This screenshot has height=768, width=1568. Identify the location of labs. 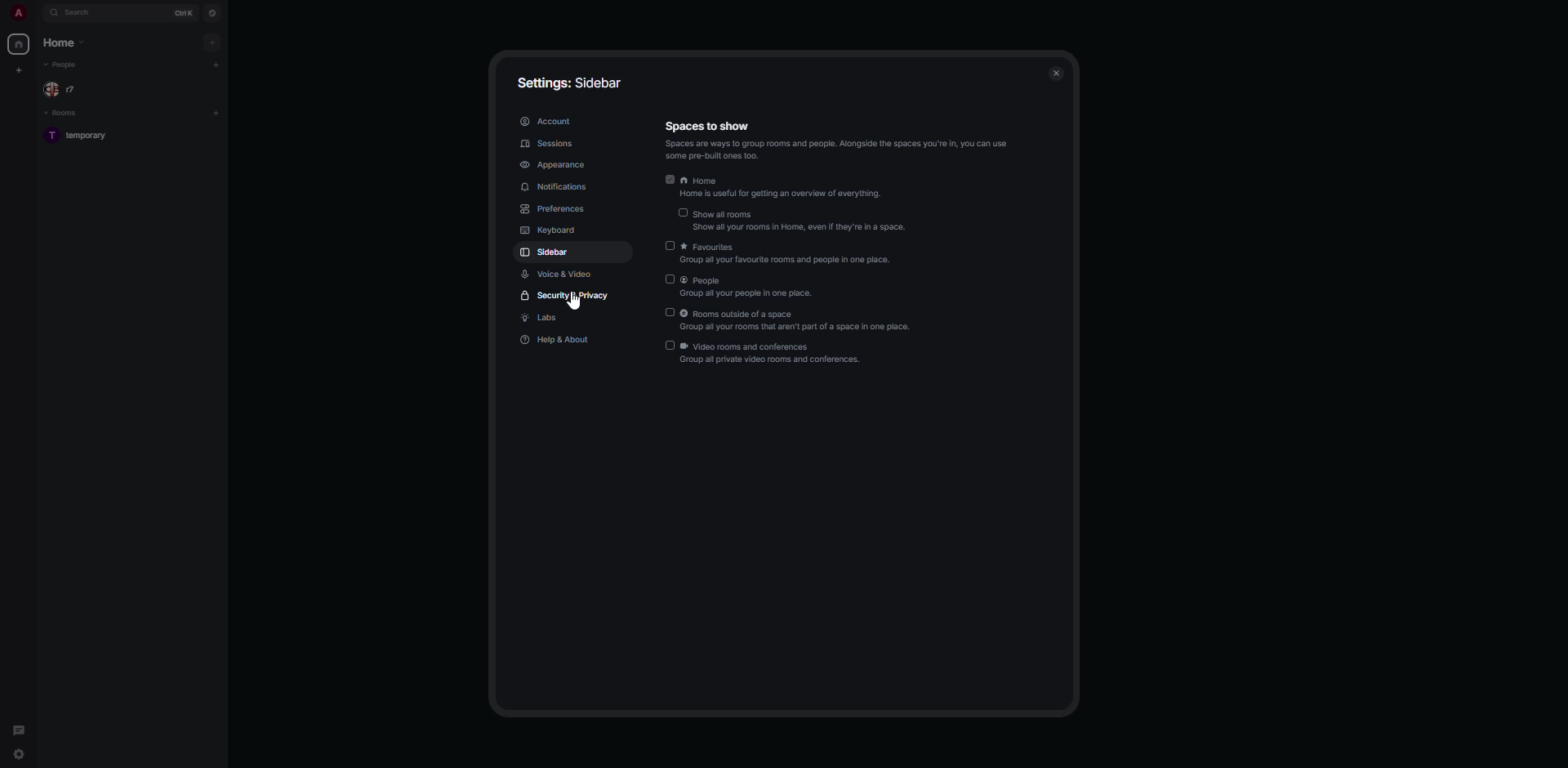
(545, 319).